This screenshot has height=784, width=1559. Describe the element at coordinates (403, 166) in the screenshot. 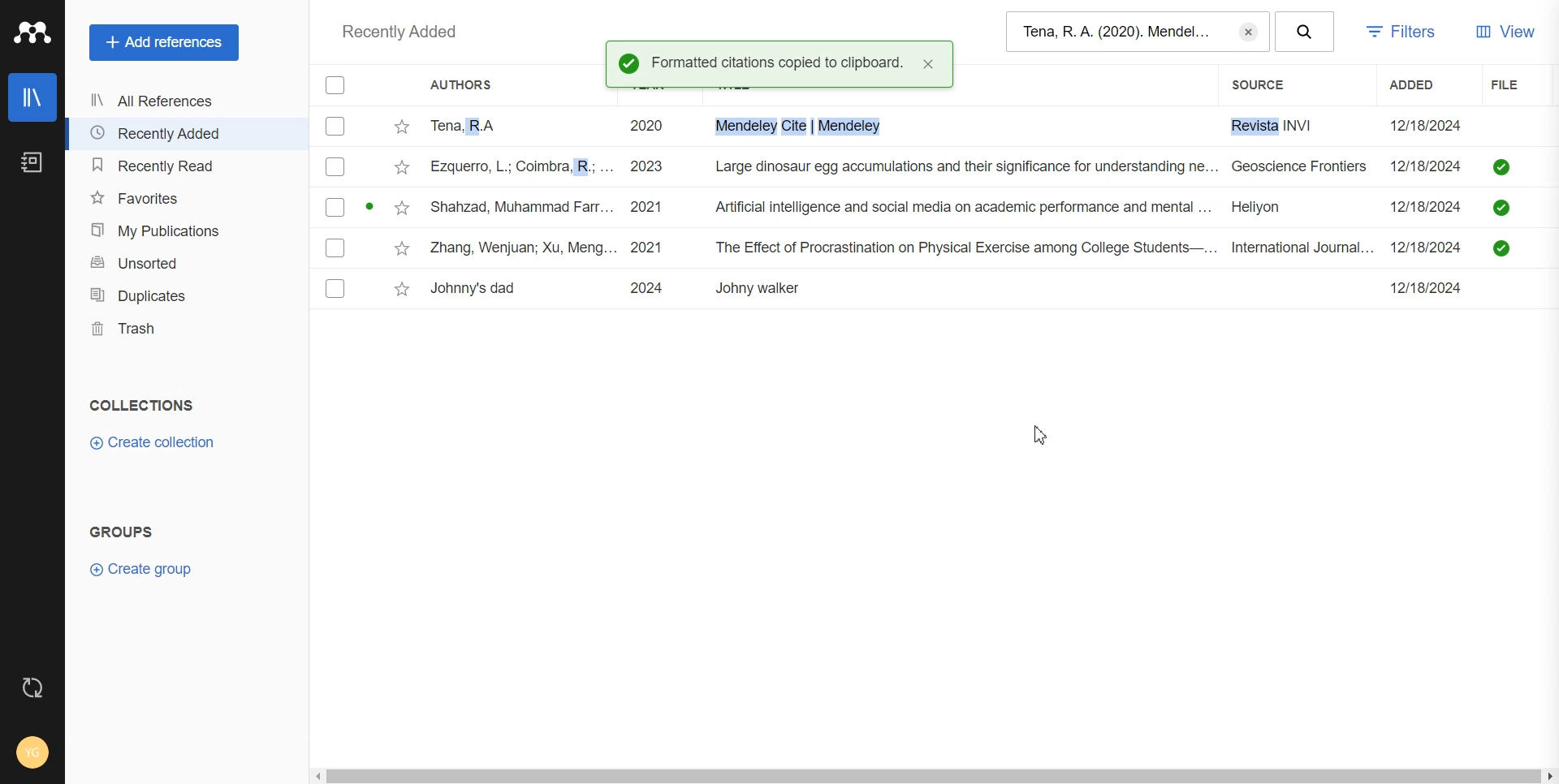

I see `Star` at that location.